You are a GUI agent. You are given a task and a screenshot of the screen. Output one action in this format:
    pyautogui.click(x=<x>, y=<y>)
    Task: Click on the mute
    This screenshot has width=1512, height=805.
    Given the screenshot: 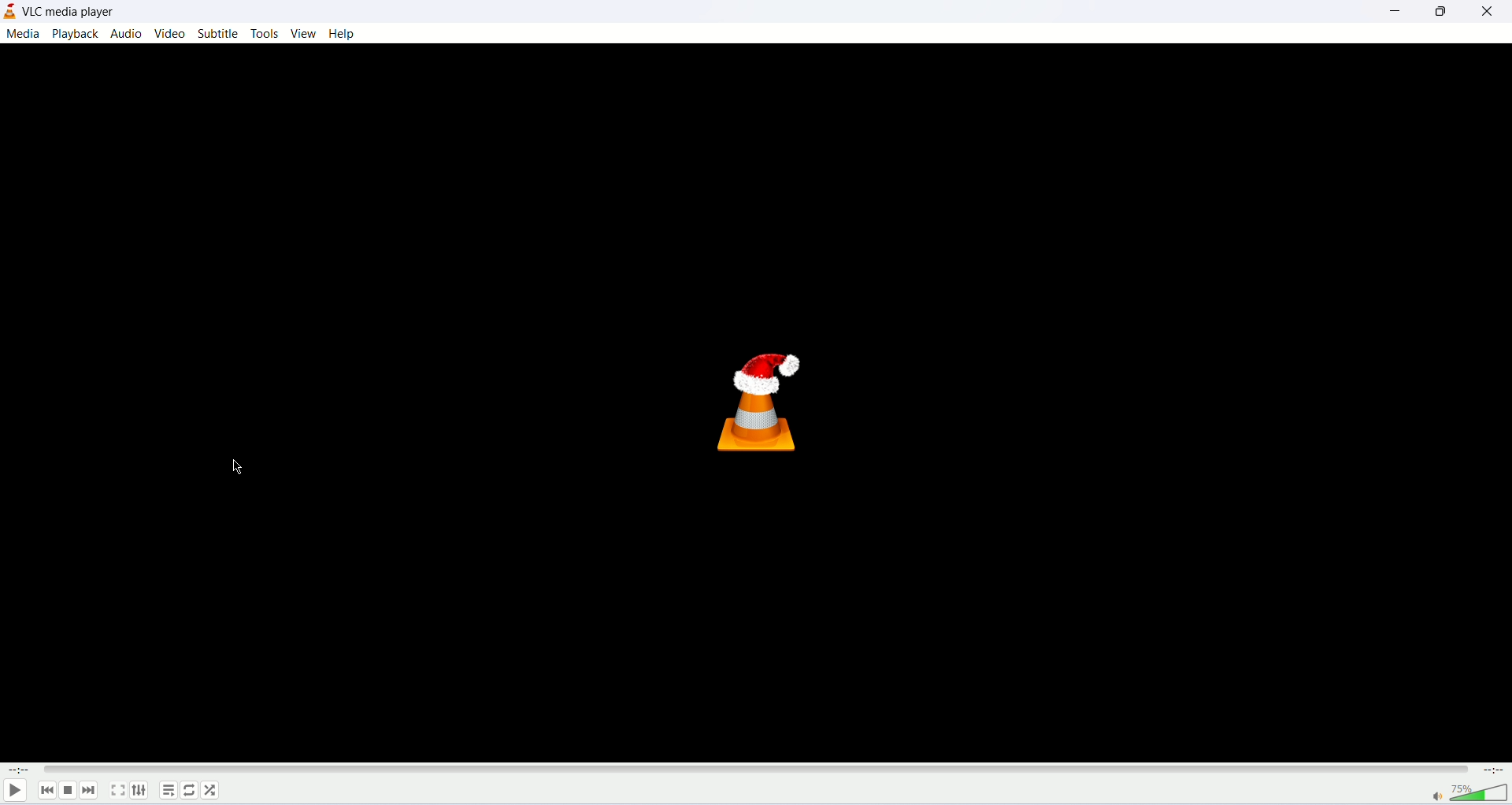 What is the action you would take?
    pyautogui.click(x=1439, y=796)
    